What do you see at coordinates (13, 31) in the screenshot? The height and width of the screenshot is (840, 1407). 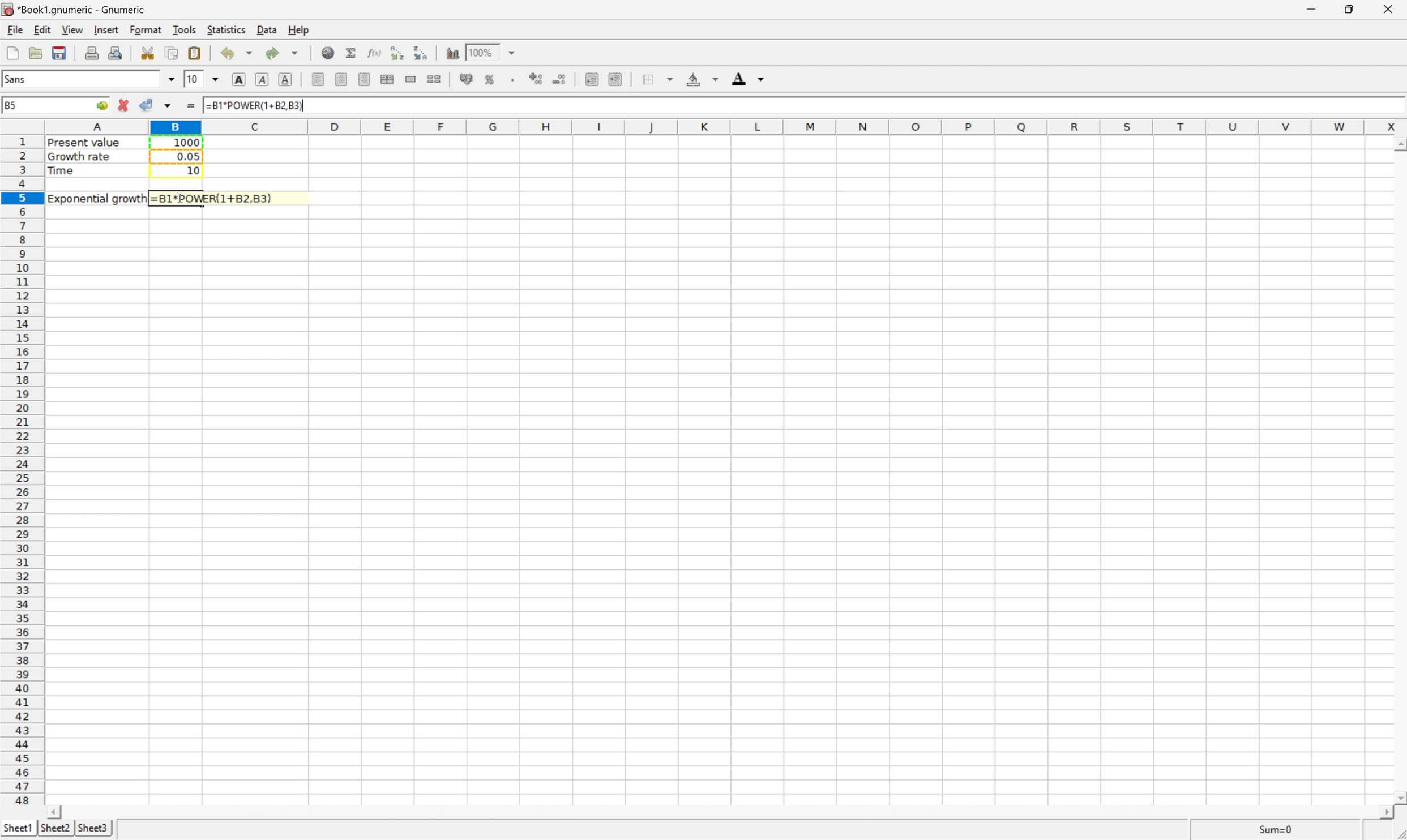 I see `File` at bounding box center [13, 31].